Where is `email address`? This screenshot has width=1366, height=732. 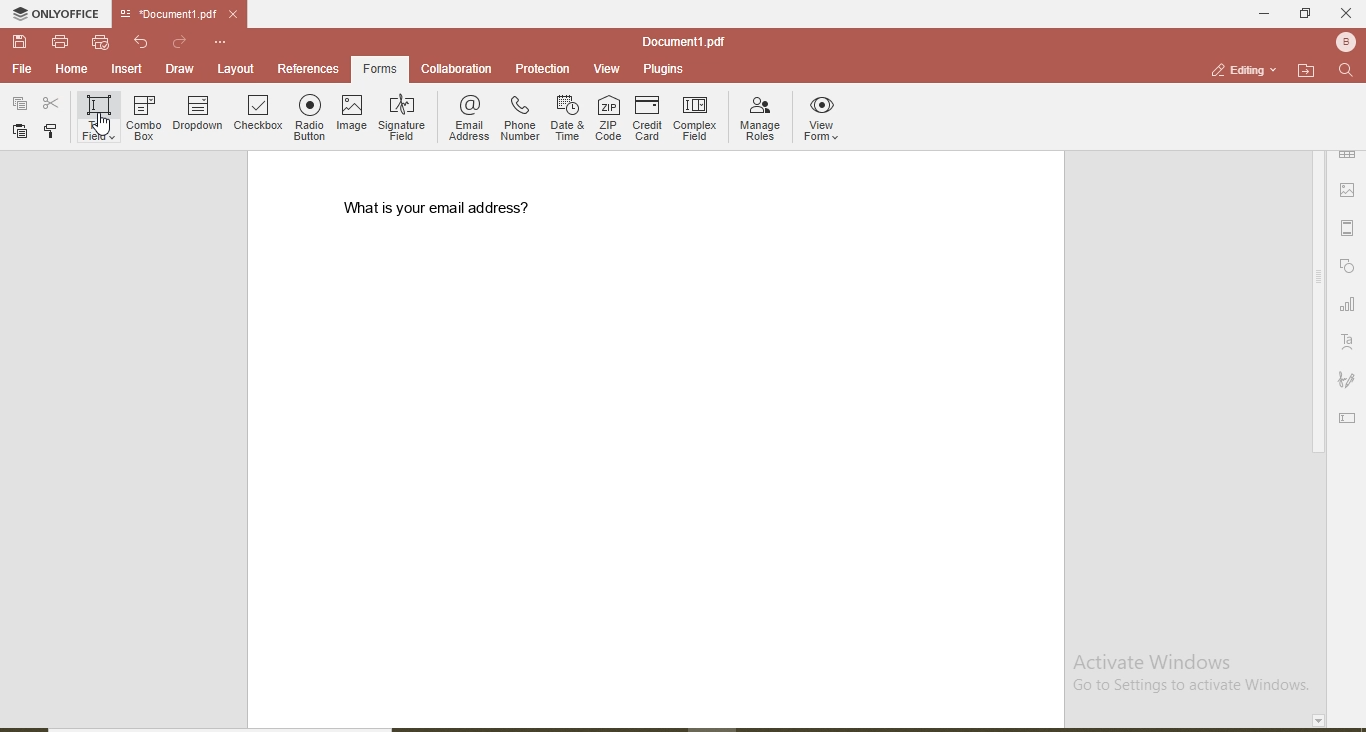
email address is located at coordinates (467, 119).